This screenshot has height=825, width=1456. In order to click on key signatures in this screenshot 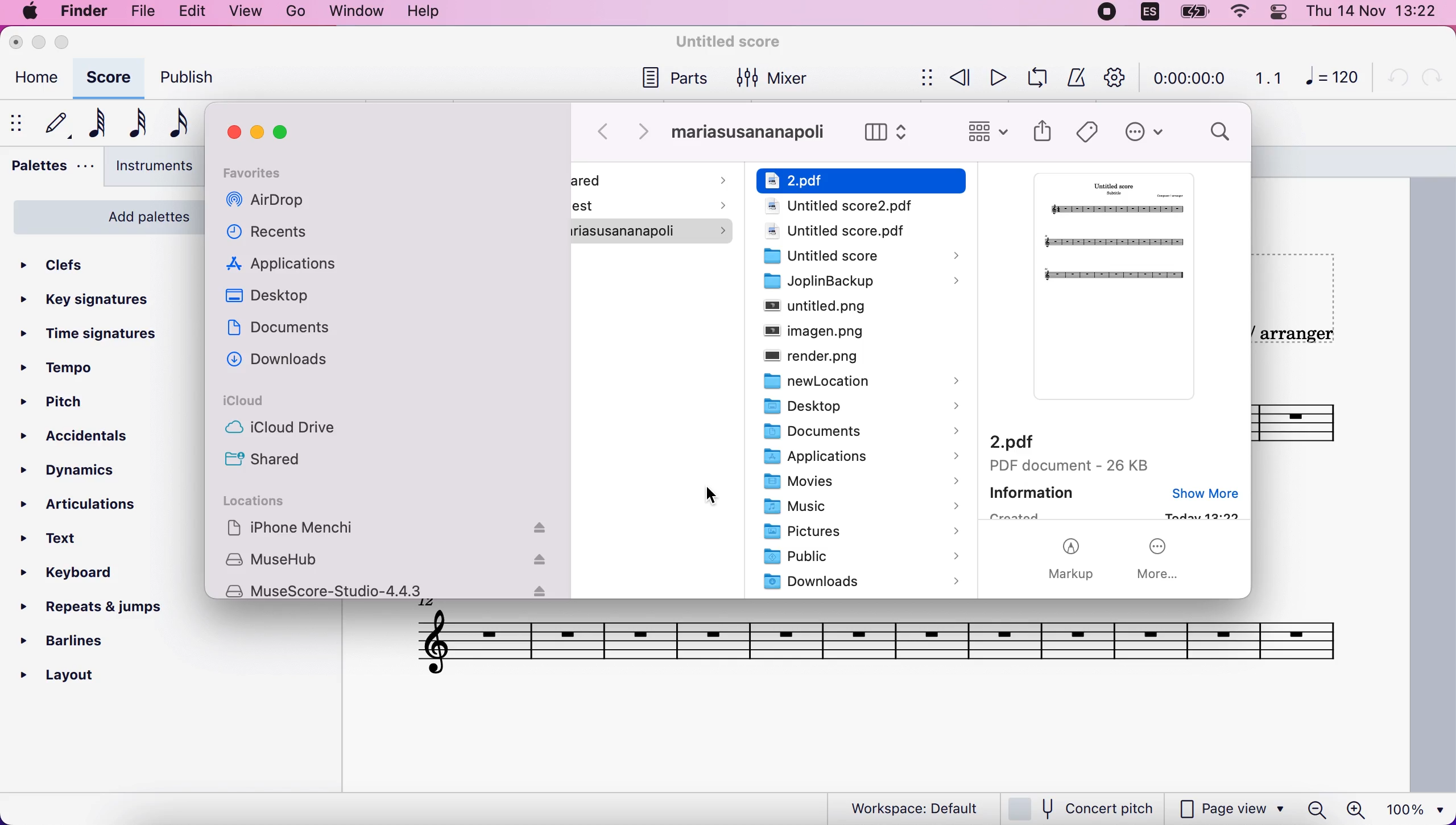, I will do `click(94, 301)`.